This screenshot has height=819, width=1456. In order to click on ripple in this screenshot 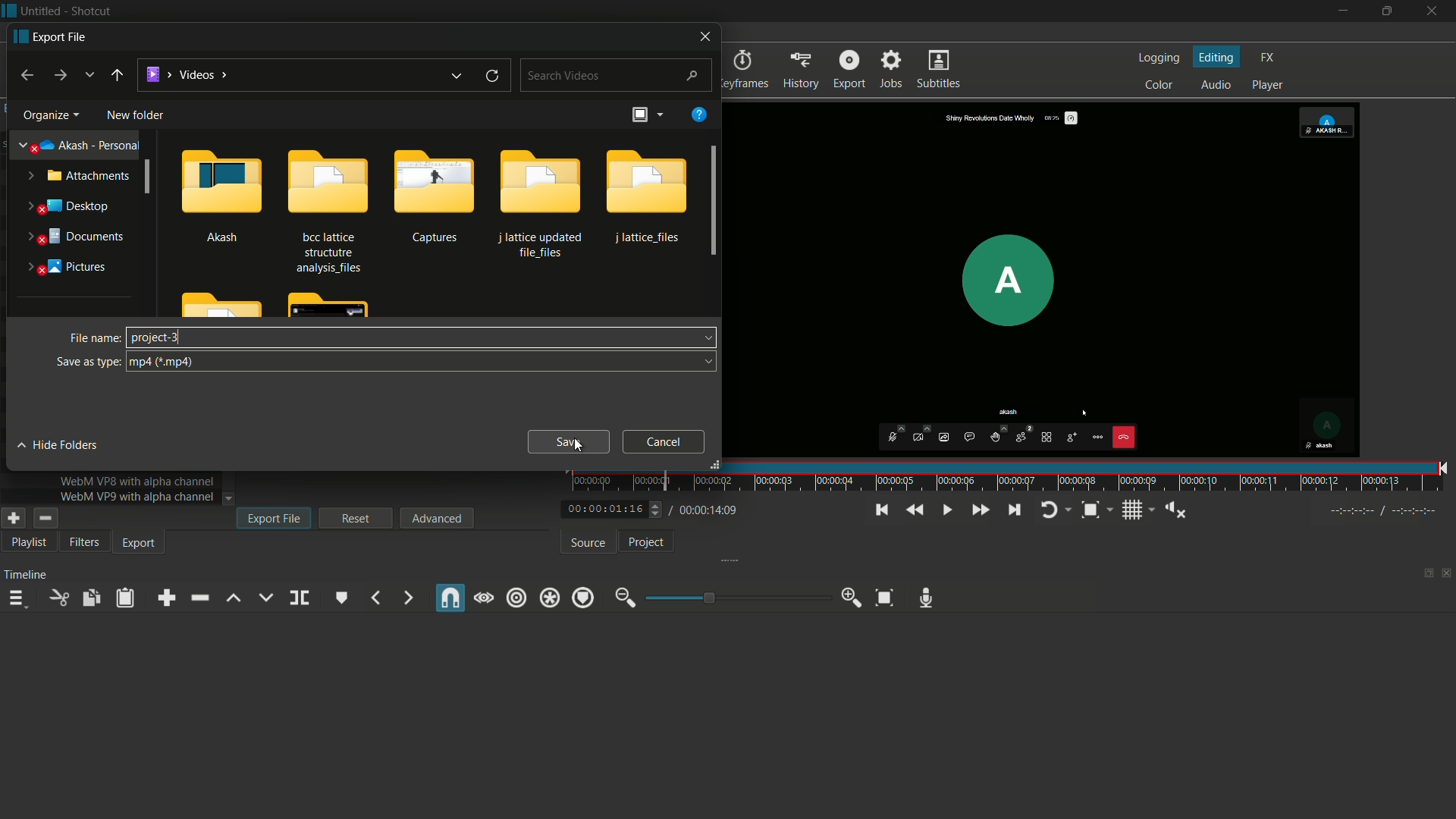, I will do `click(518, 597)`.